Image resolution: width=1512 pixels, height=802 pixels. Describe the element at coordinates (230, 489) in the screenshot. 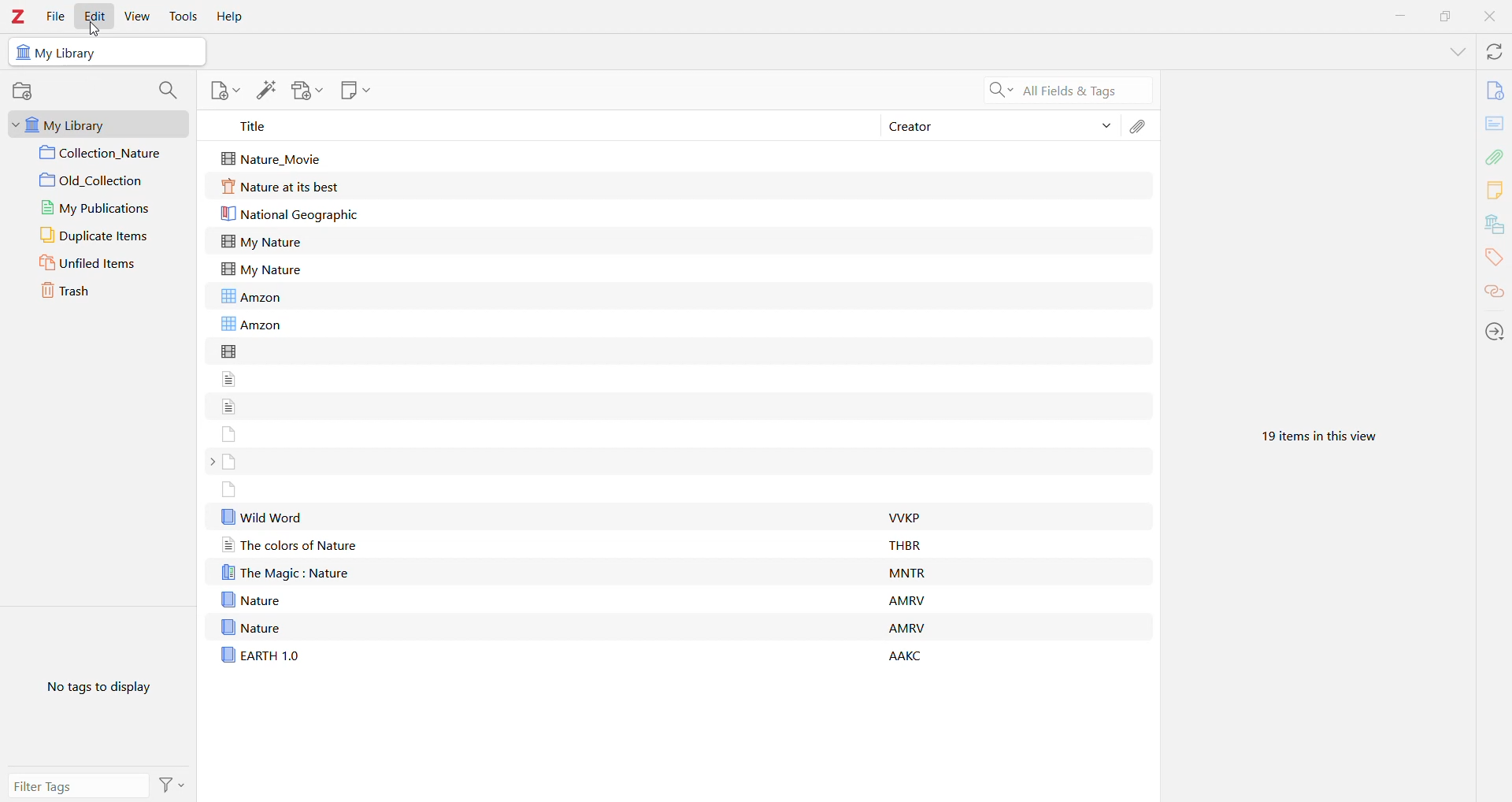

I see `file without title` at that location.